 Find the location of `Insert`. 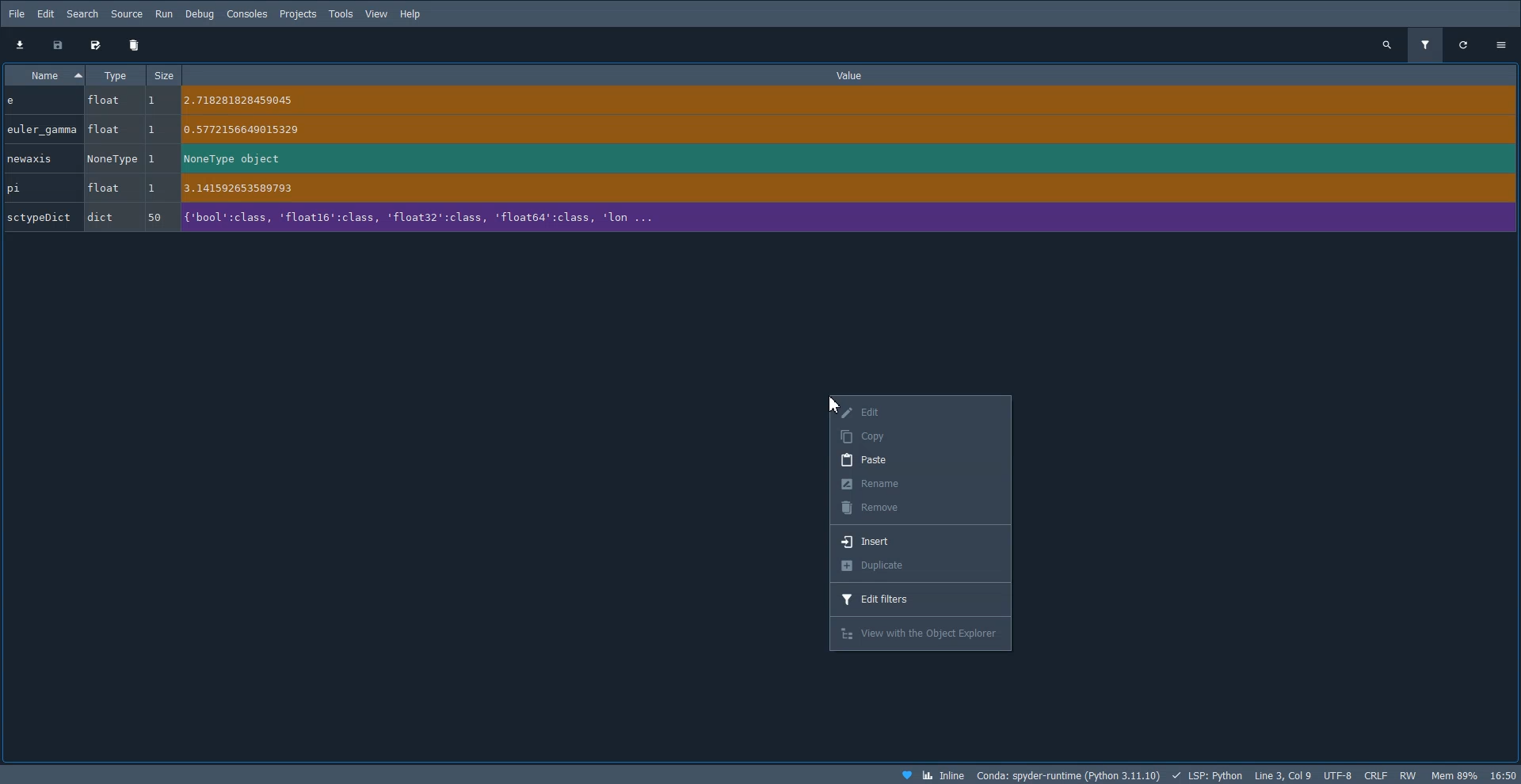

Insert is located at coordinates (920, 541).